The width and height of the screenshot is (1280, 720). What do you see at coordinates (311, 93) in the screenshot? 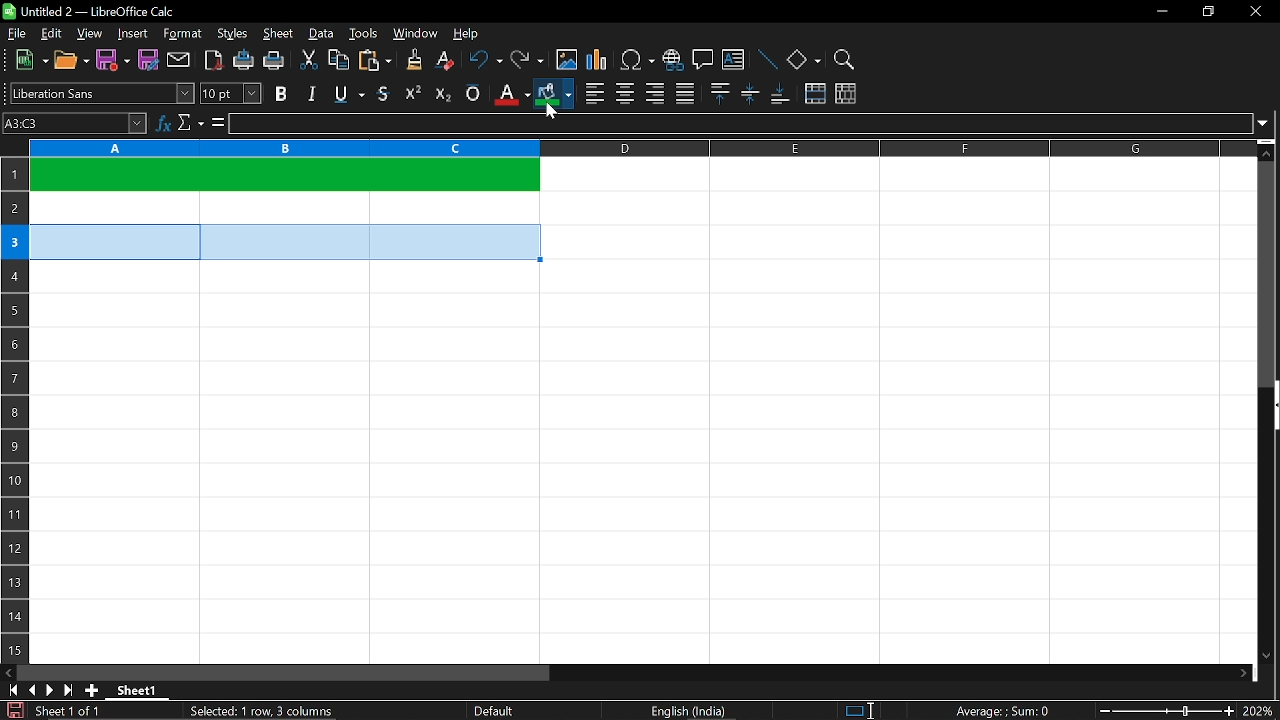
I see `italic` at bounding box center [311, 93].